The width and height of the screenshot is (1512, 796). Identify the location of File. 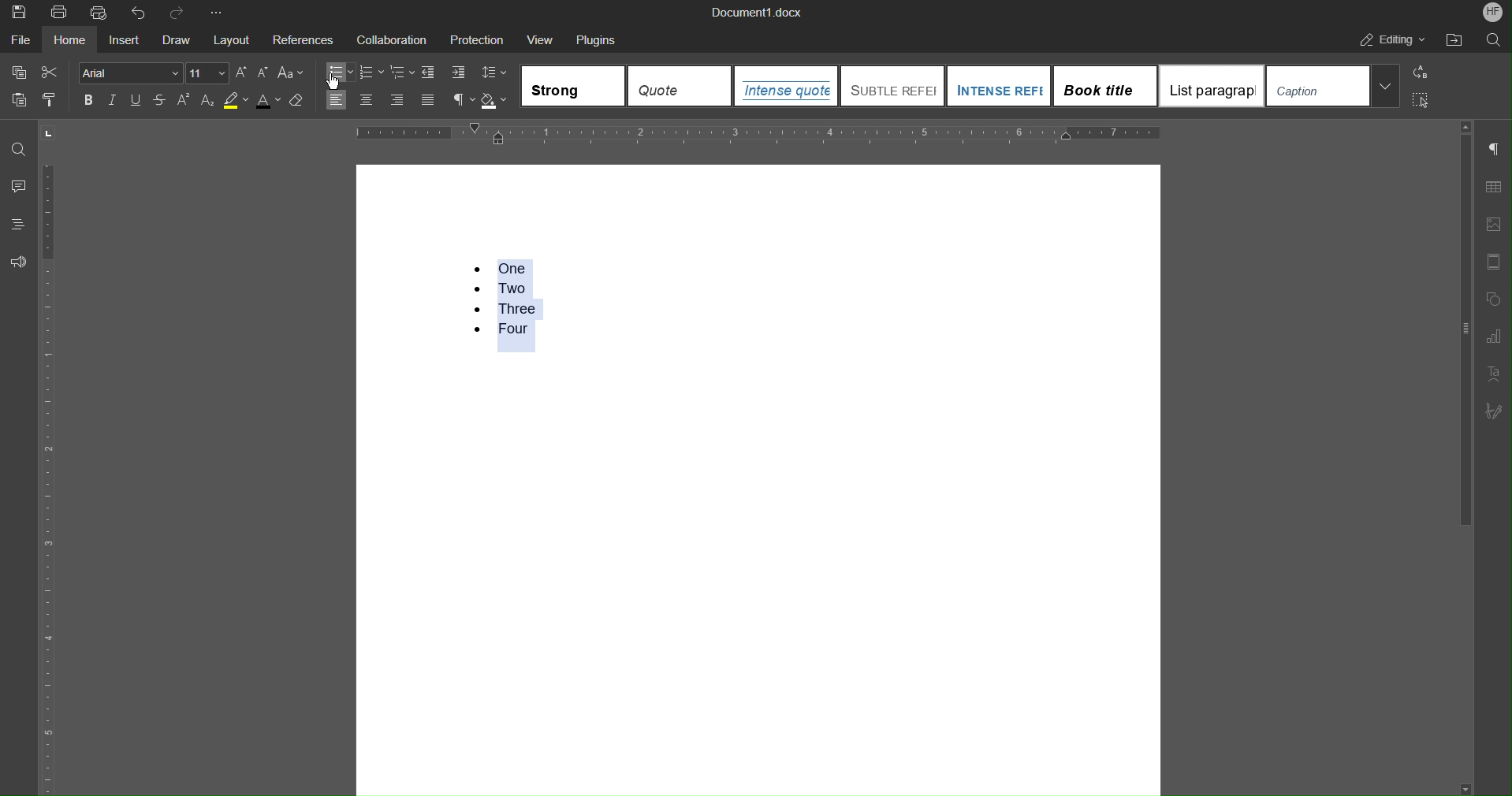
(20, 39).